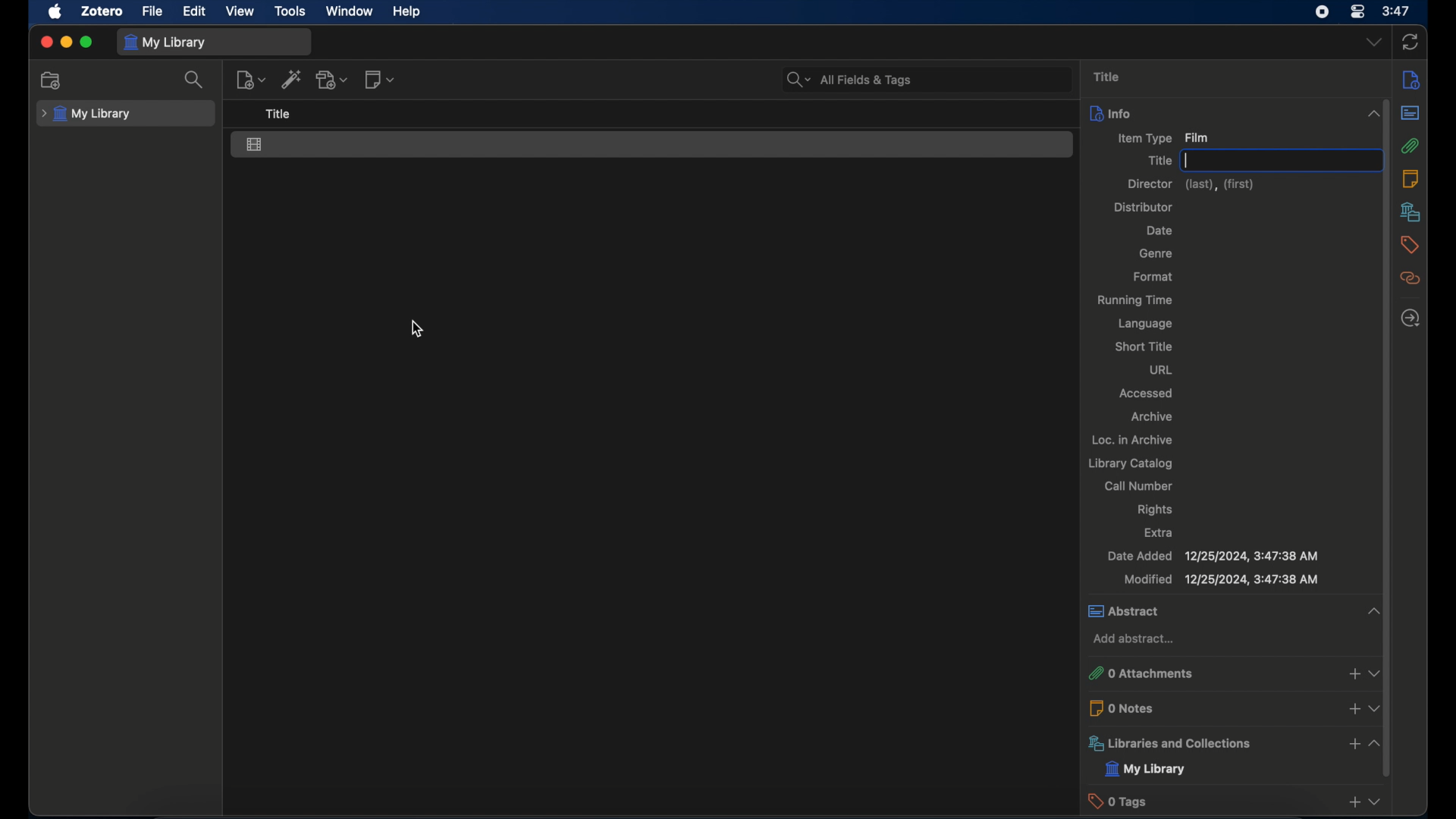 Image resolution: width=1456 pixels, height=819 pixels. What do you see at coordinates (278, 115) in the screenshot?
I see `title` at bounding box center [278, 115].